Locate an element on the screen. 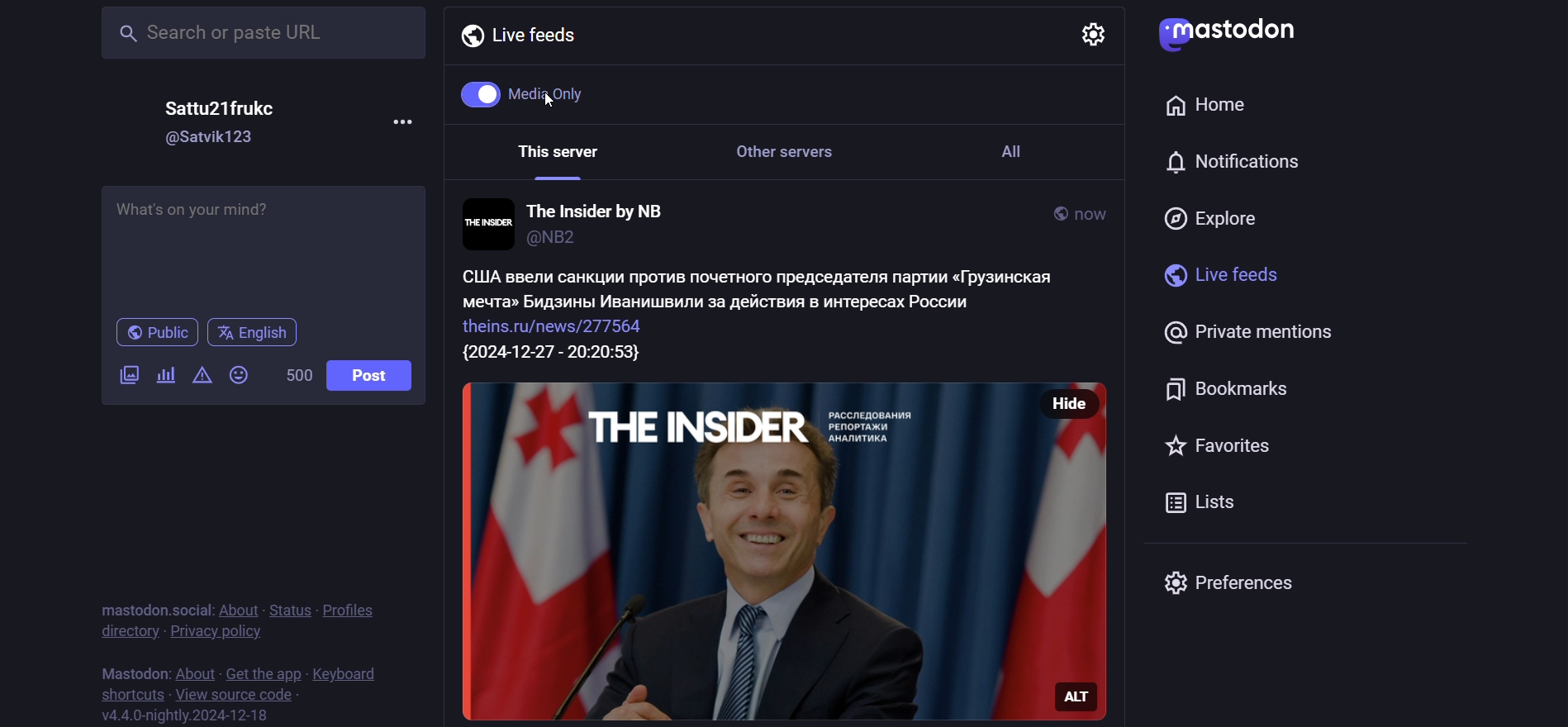  mastodon social is located at coordinates (152, 610).